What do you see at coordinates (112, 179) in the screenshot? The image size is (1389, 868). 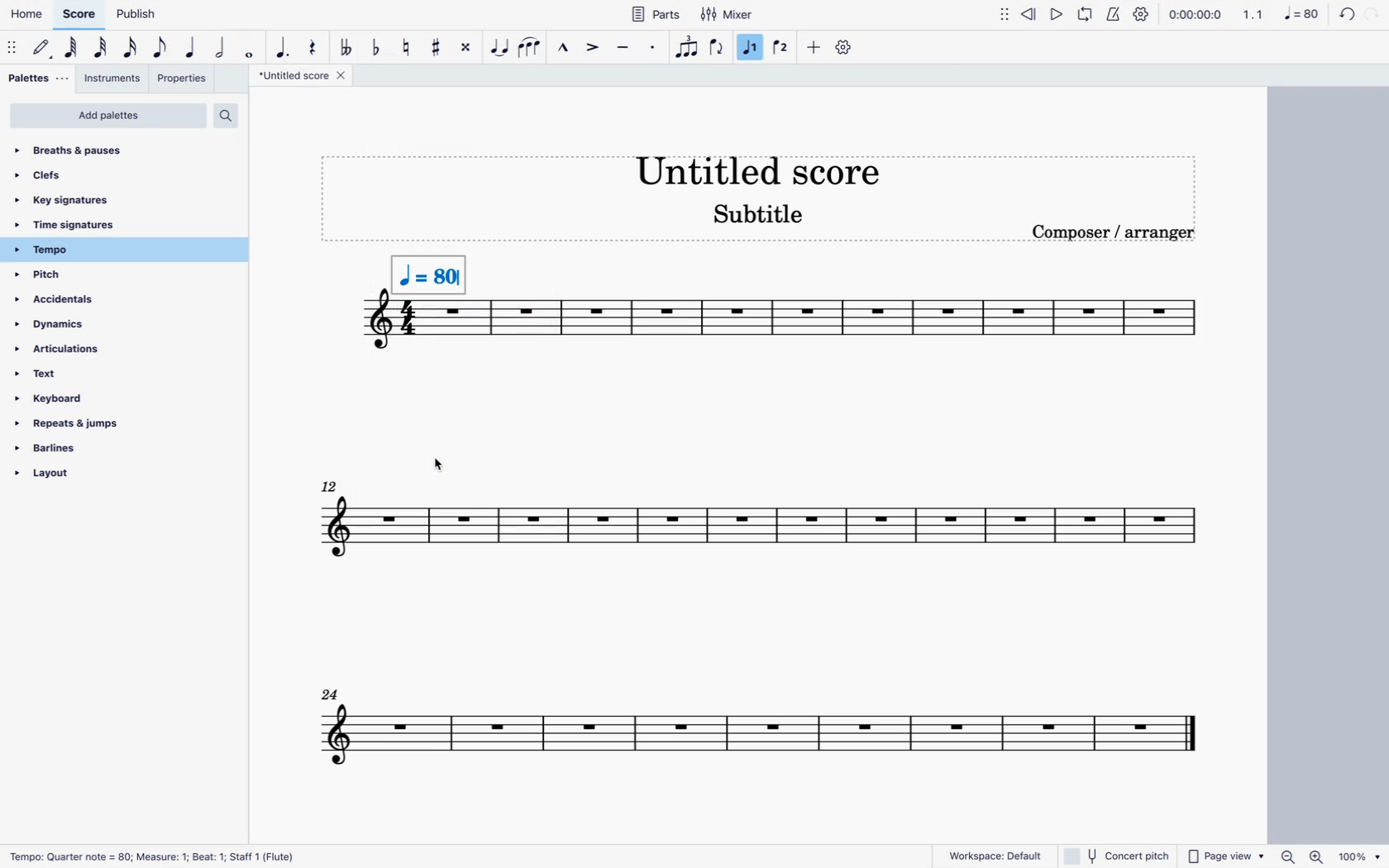 I see `clefs` at bounding box center [112, 179].